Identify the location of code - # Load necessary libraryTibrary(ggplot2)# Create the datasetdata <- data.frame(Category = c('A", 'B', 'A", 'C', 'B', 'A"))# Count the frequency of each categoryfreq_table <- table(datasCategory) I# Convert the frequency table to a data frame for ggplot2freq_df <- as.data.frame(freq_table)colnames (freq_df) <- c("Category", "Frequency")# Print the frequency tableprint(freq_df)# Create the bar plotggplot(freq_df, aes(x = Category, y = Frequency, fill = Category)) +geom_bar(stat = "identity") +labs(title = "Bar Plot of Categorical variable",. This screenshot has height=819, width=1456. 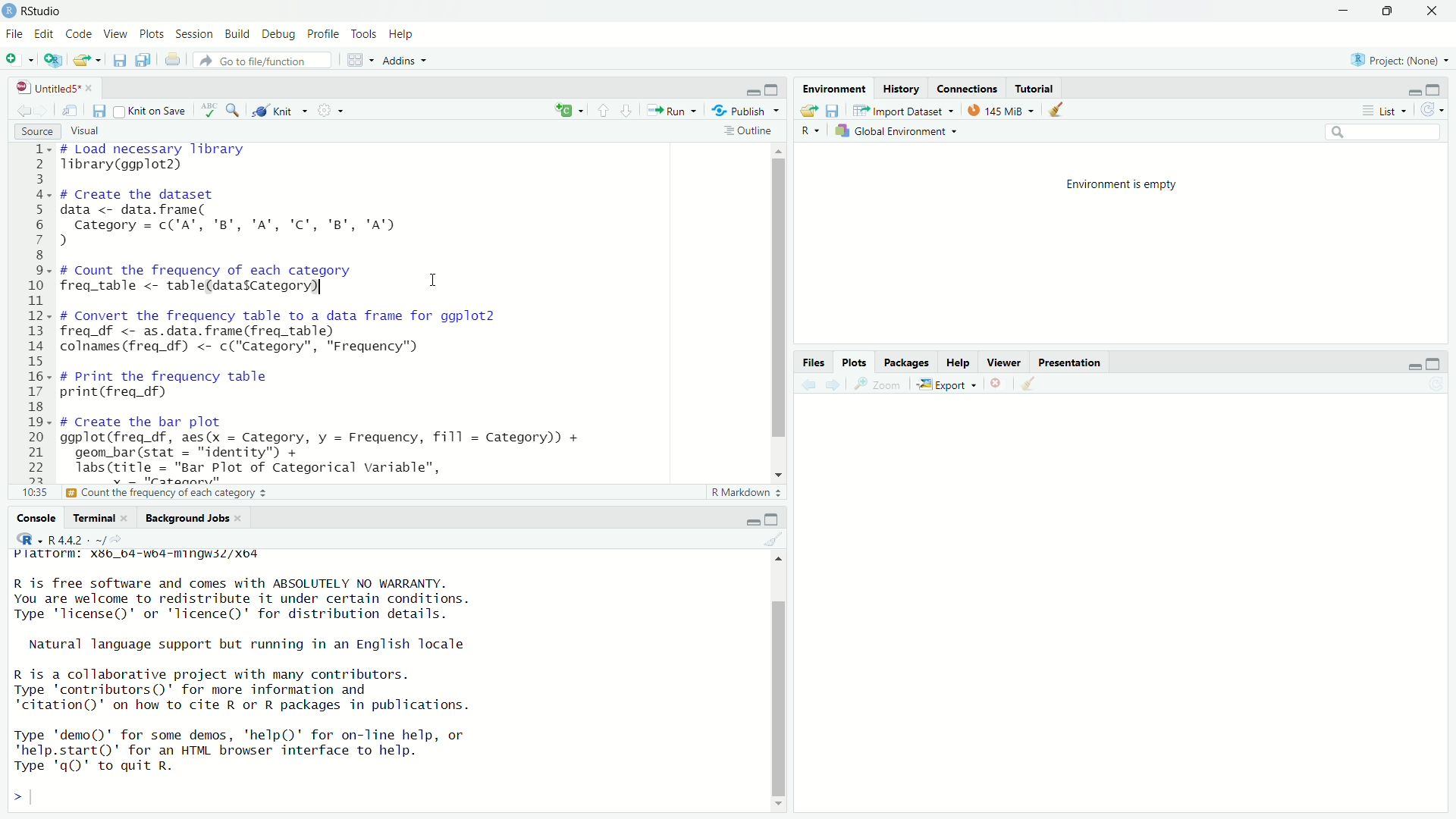
(365, 313).